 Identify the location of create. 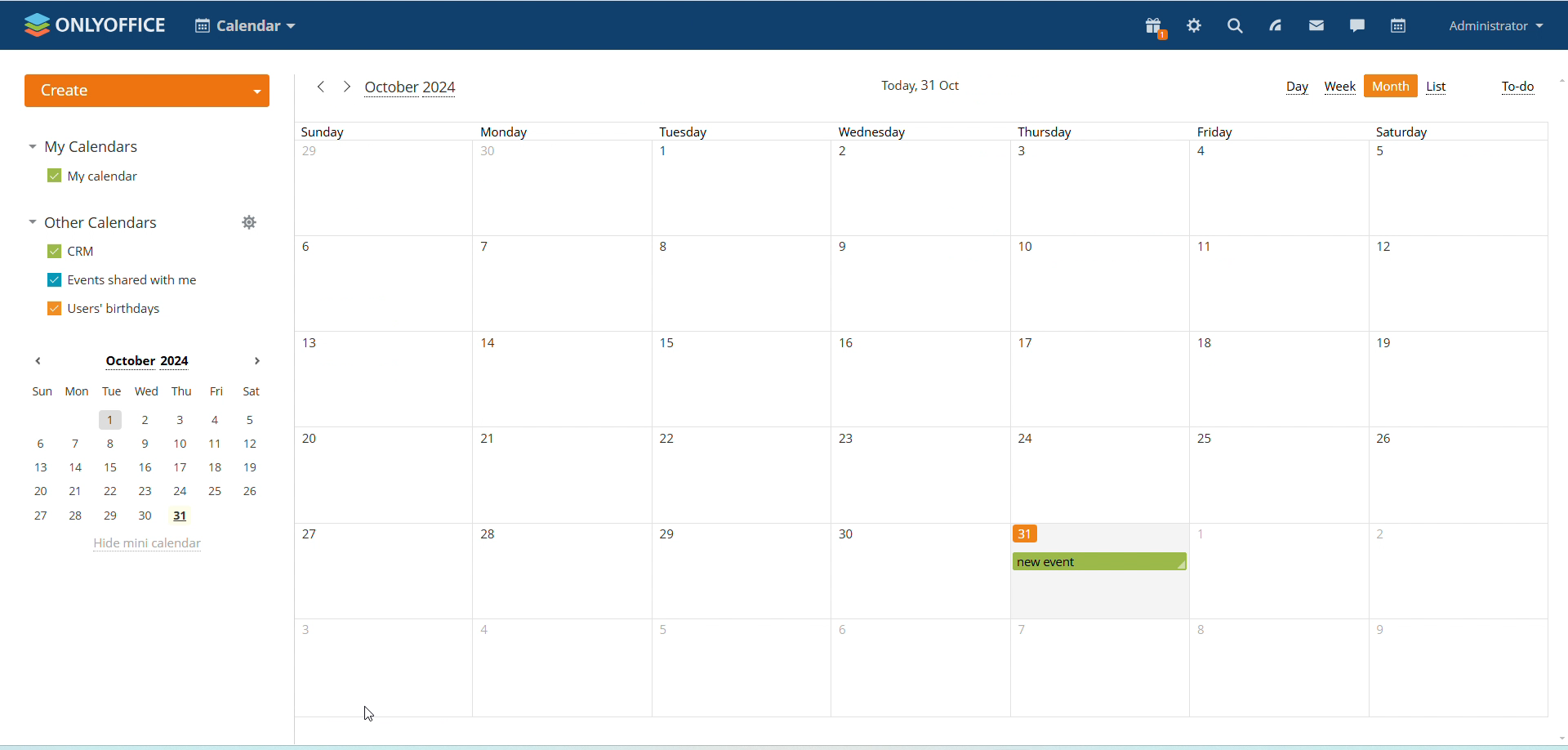
(145, 91).